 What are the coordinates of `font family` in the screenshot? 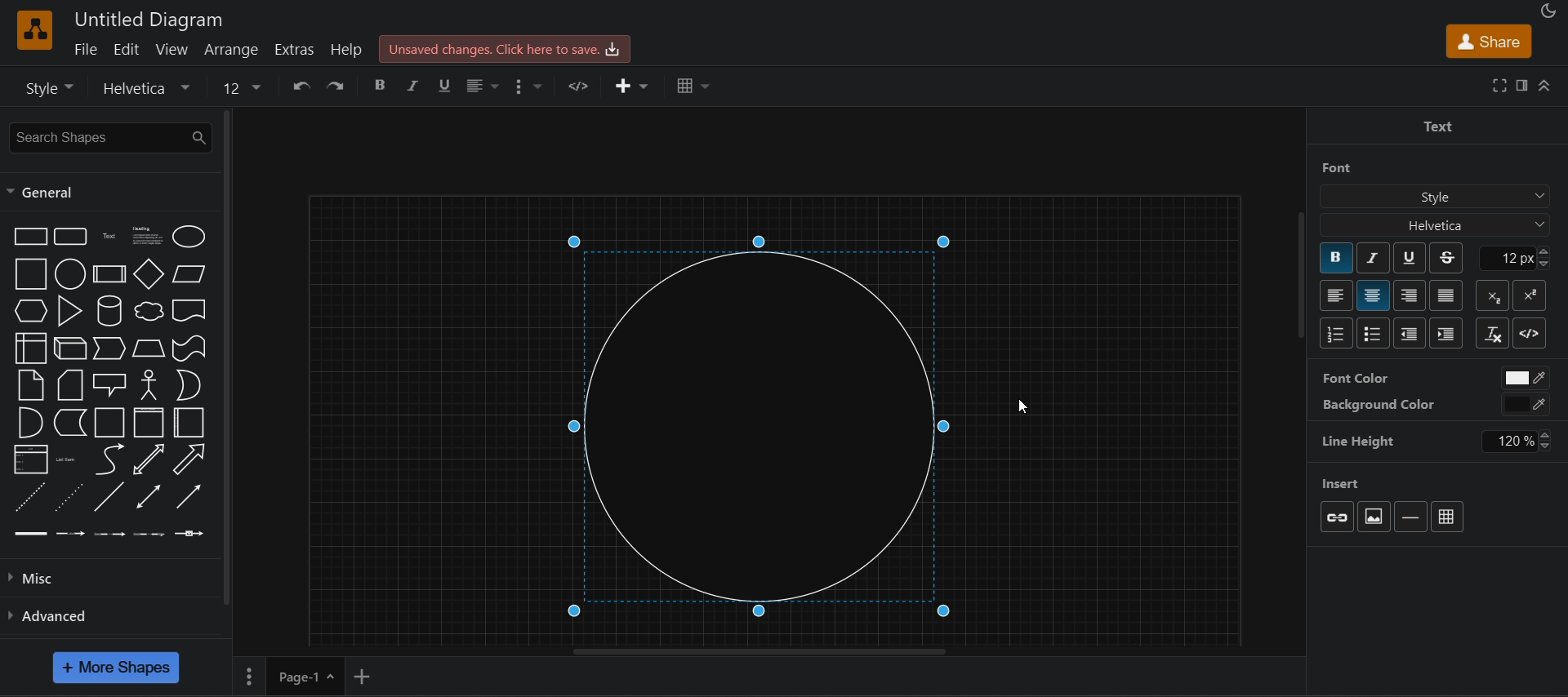 It's located at (140, 88).